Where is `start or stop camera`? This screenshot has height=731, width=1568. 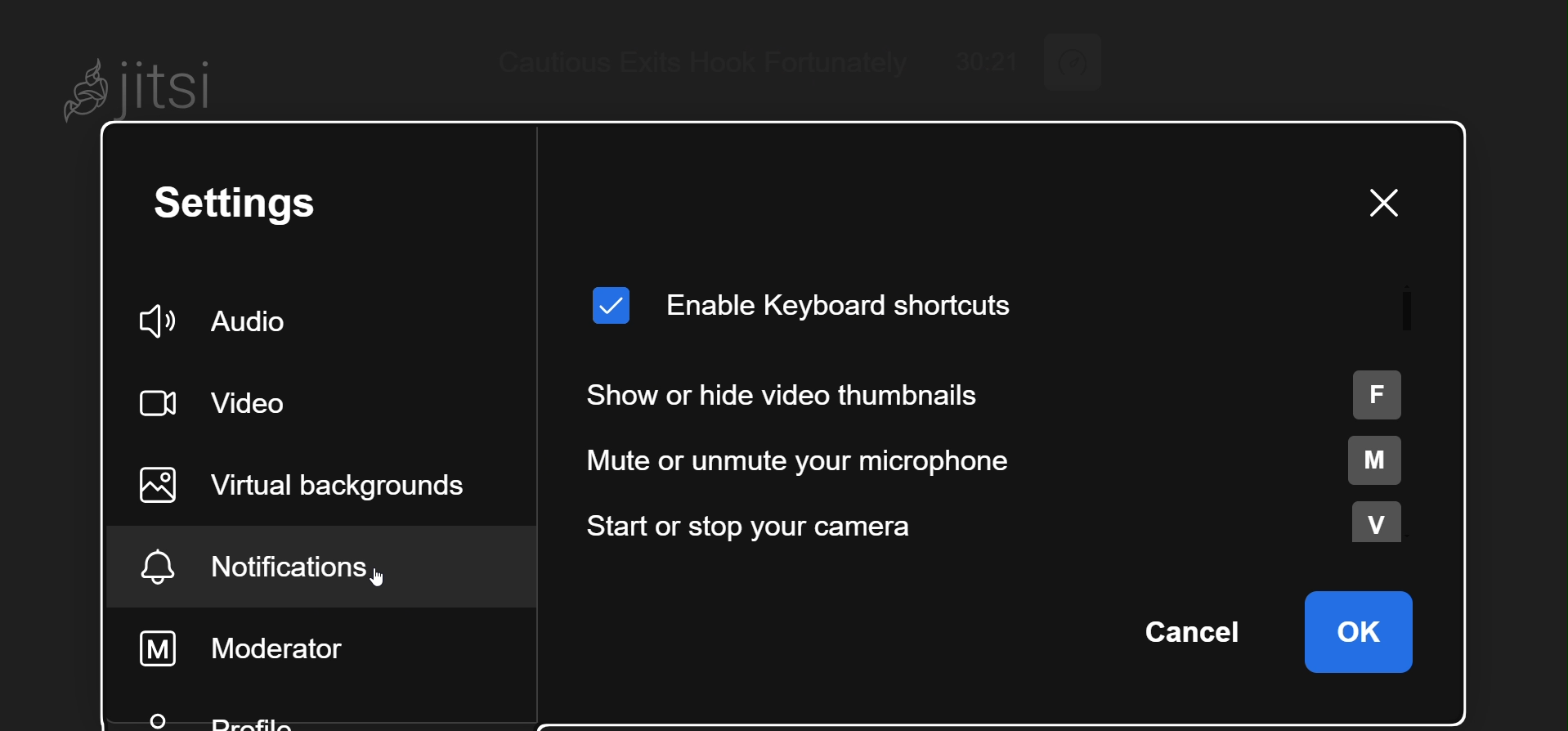
start or stop camera is located at coordinates (1003, 521).